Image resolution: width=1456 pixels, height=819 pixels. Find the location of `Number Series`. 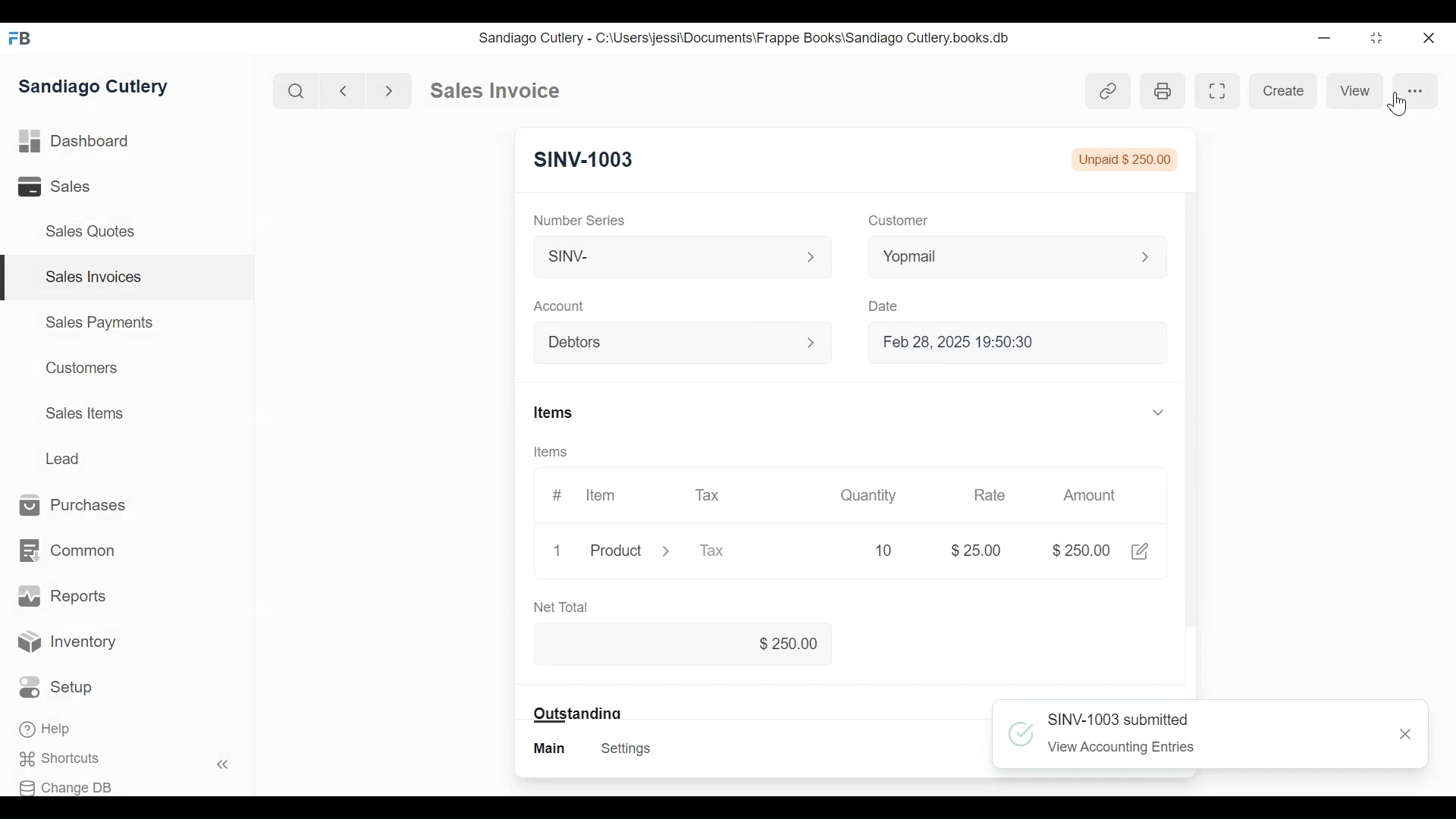

Number Series is located at coordinates (581, 220).